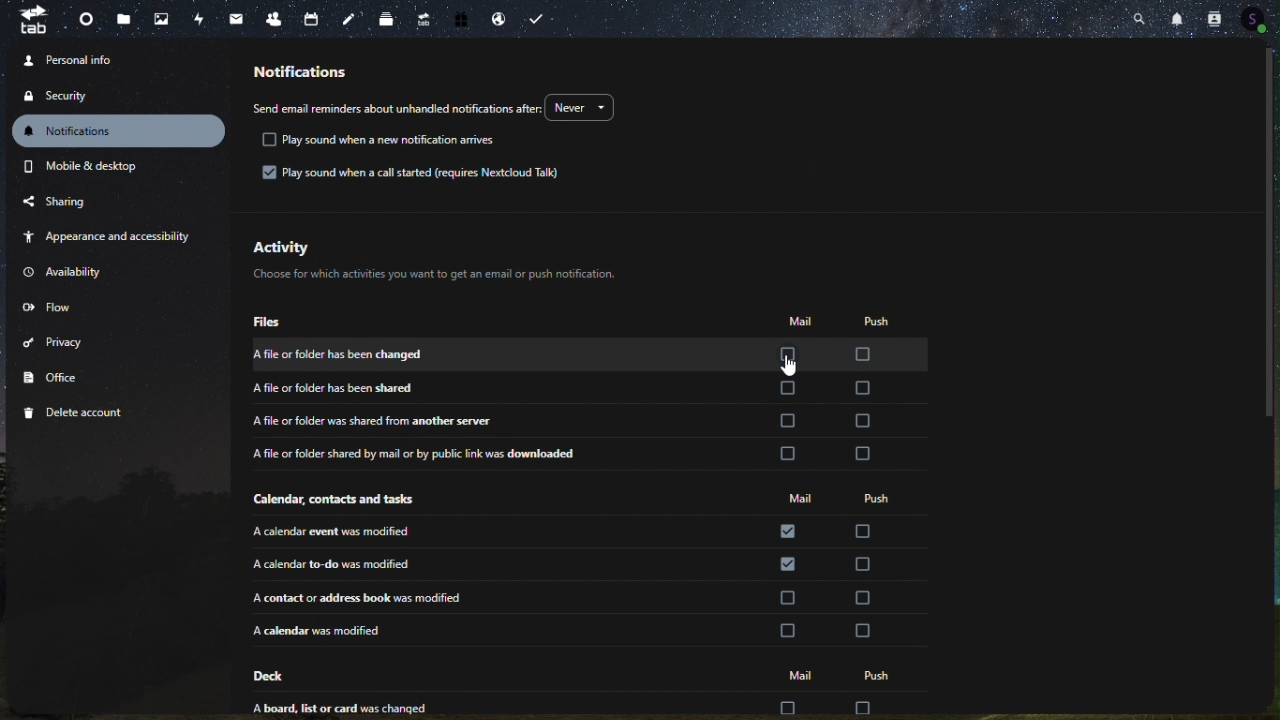  I want to click on photo, so click(161, 18).